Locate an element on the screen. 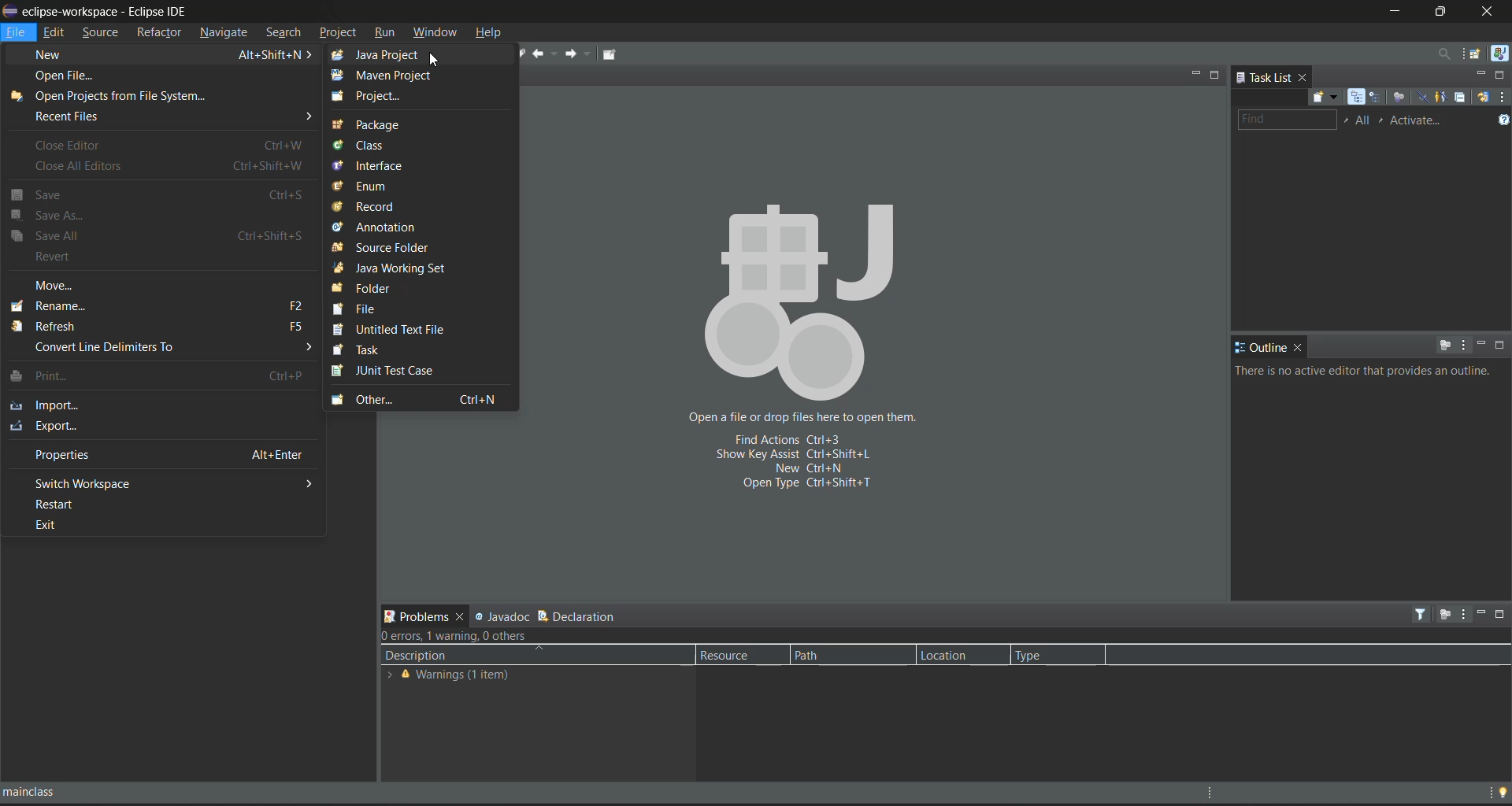 This screenshot has height=806, width=1512. enum is located at coordinates (374, 188).